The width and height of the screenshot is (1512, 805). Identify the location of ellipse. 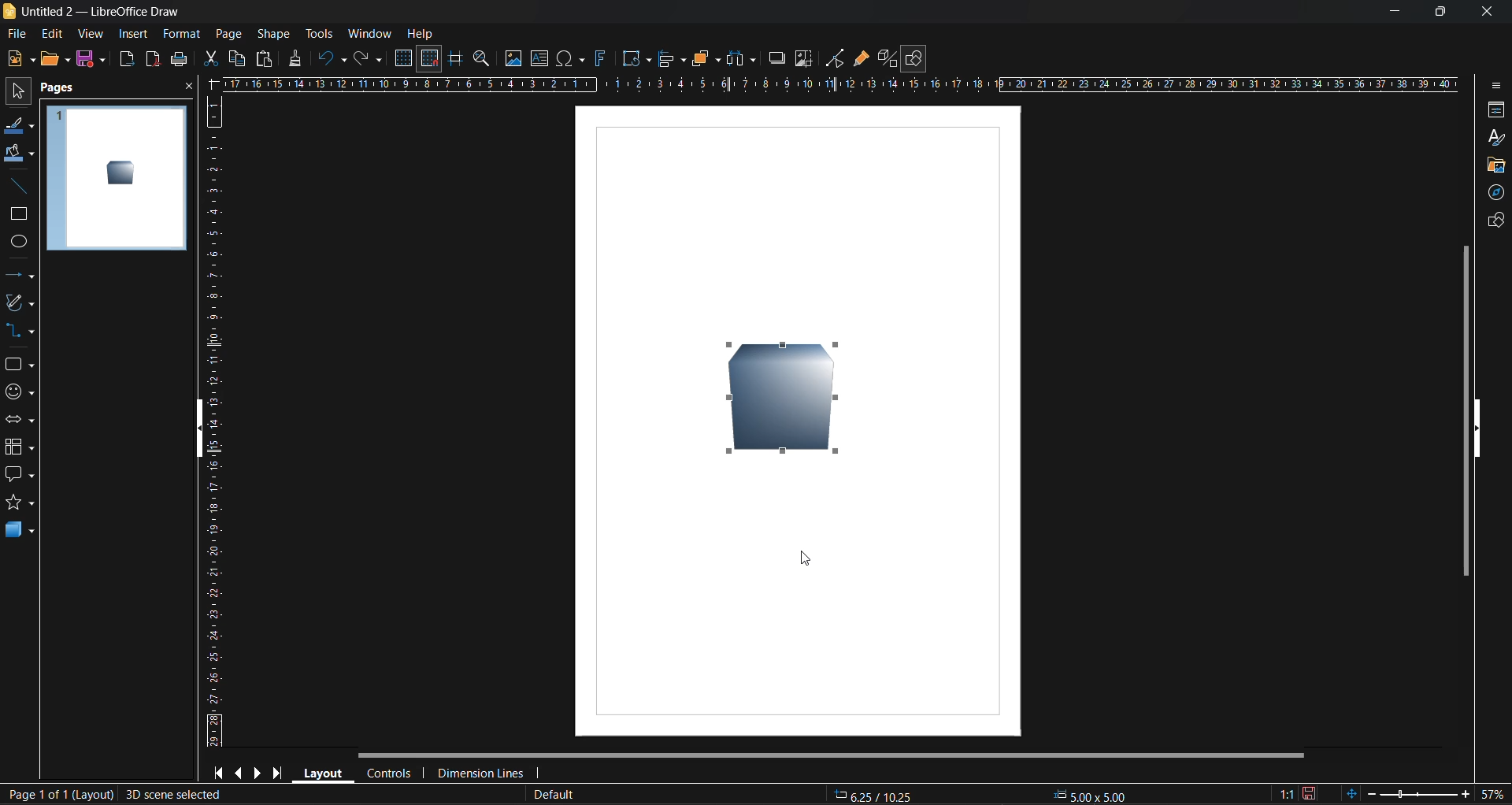
(19, 243).